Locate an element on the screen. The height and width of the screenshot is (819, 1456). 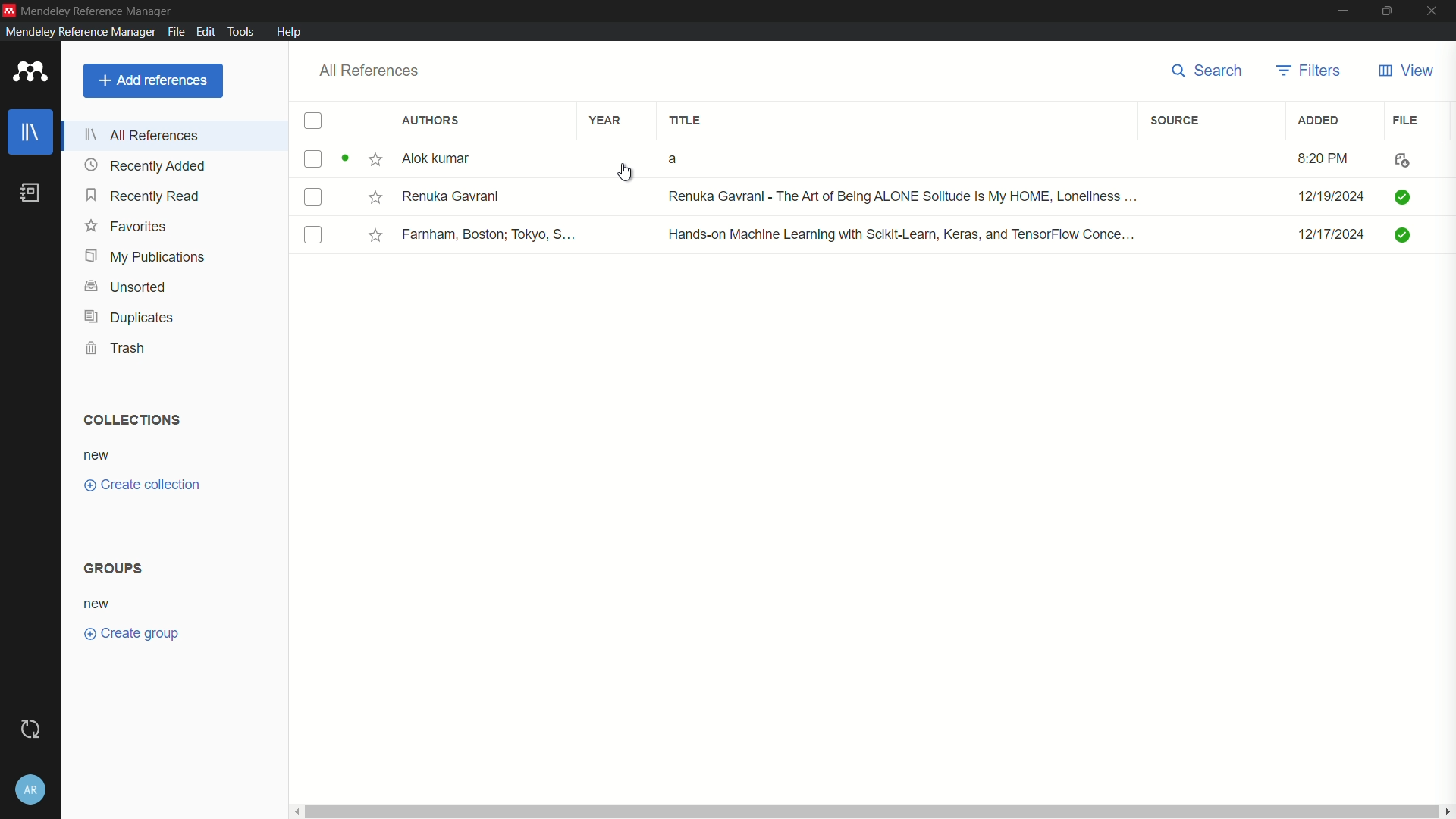
my publications is located at coordinates (146, 258).